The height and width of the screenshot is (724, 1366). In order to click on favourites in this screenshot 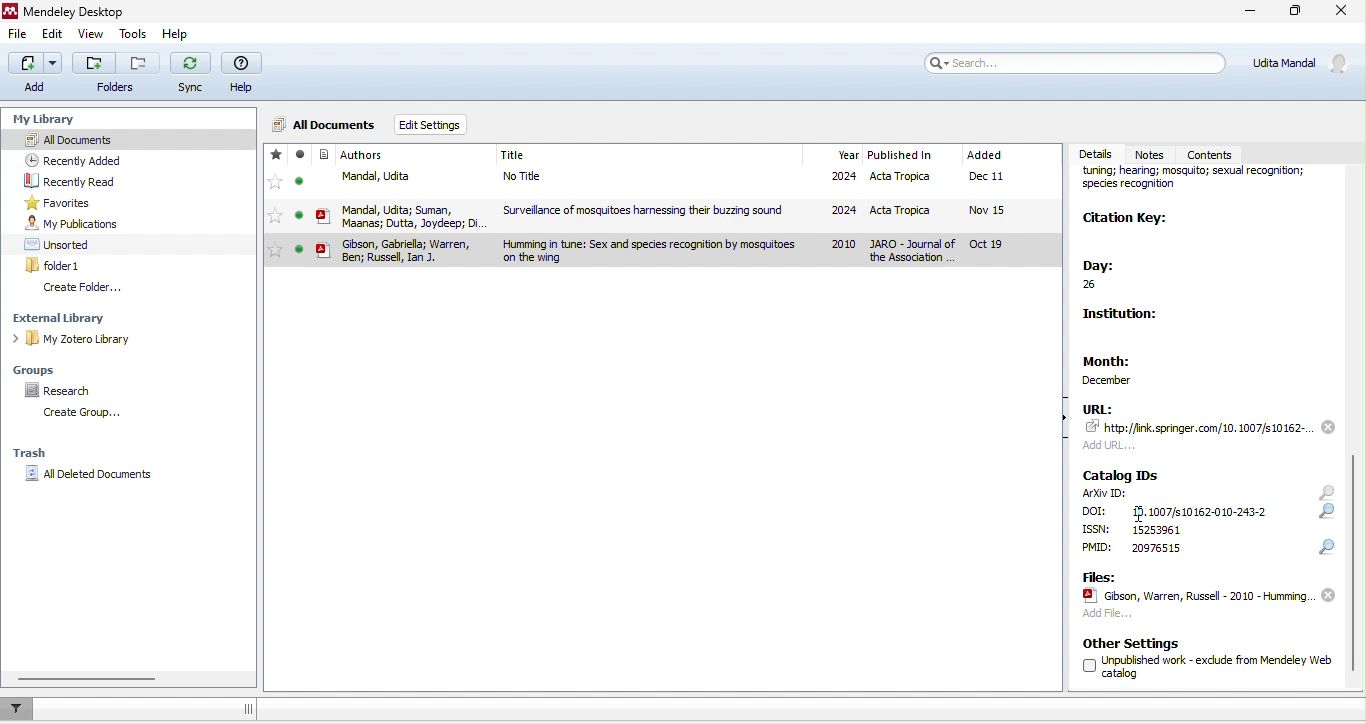, I will do `click(275, 186)`.